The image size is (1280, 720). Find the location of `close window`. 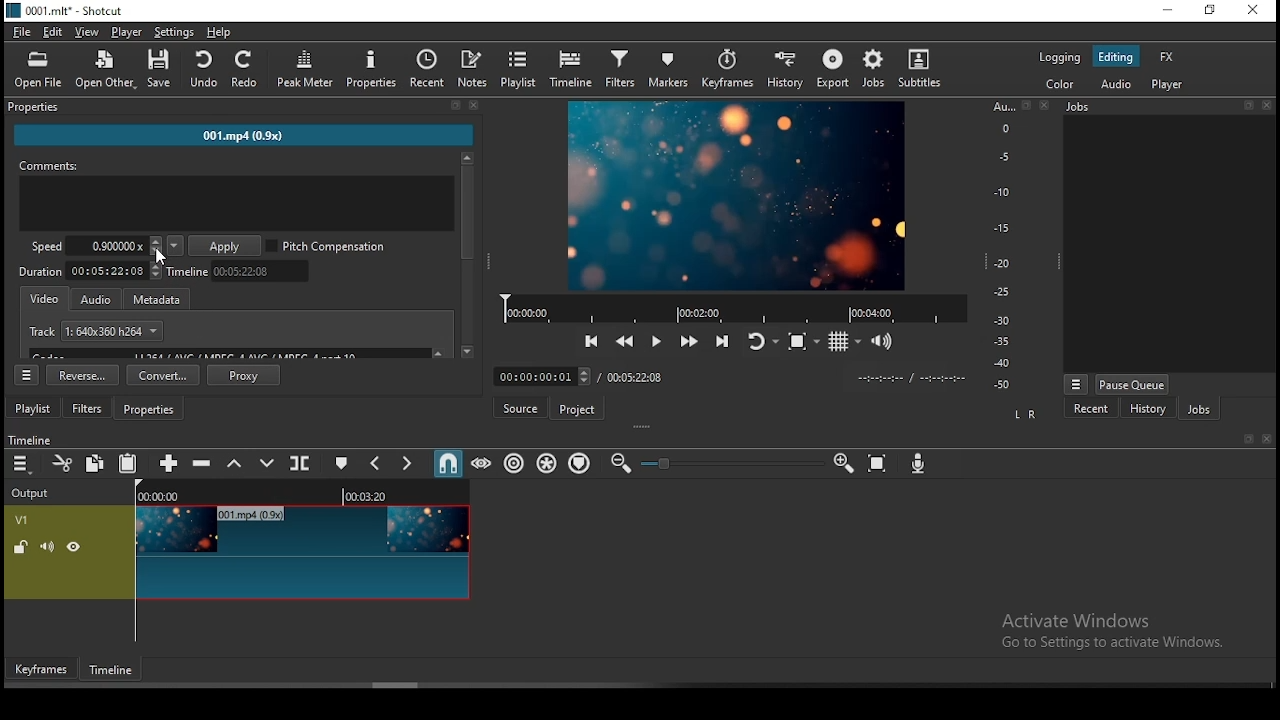

close window is located at coordinates (1255, 8).